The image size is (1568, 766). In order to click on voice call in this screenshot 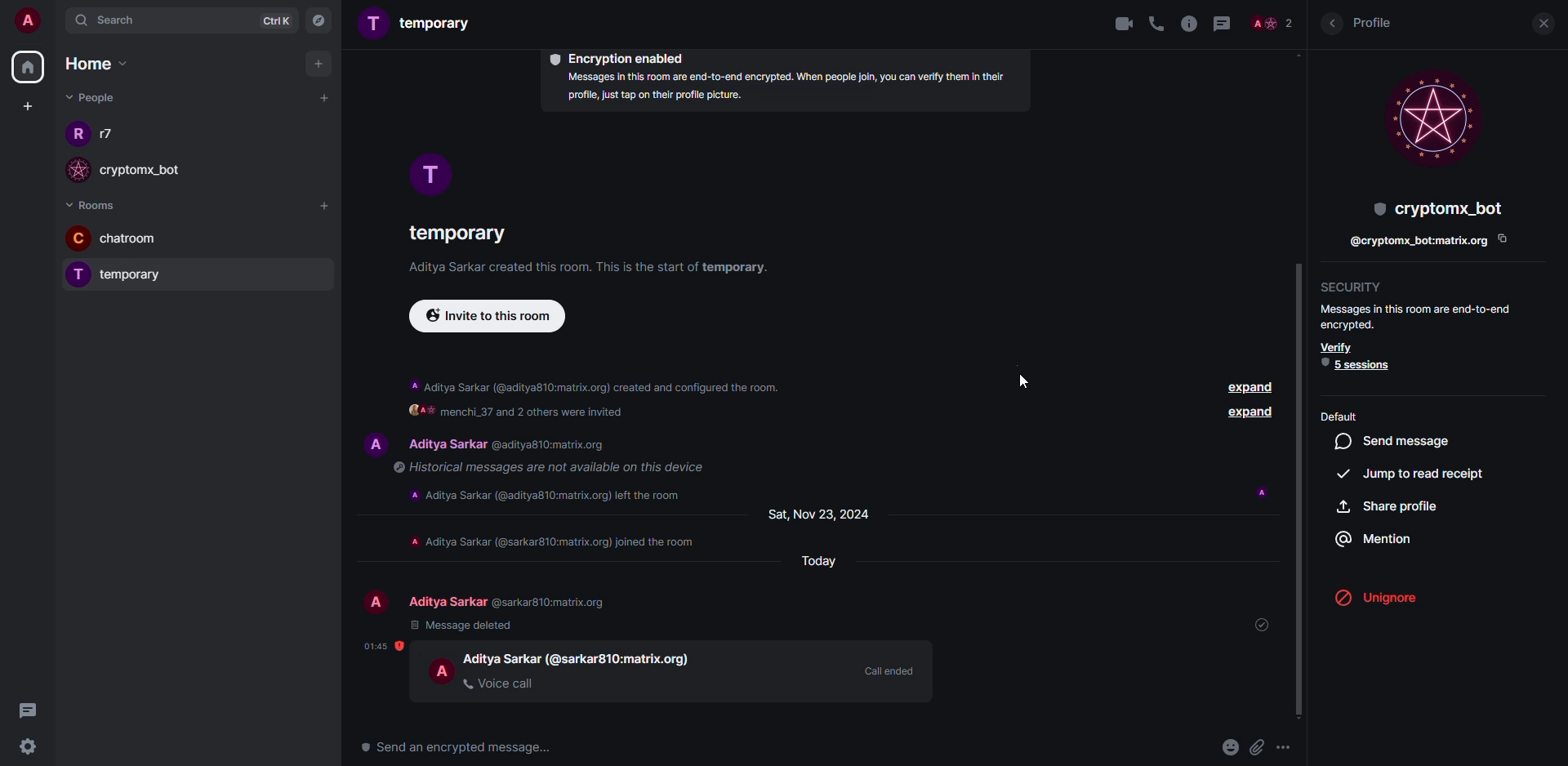, I will do `click(501, 683)`.